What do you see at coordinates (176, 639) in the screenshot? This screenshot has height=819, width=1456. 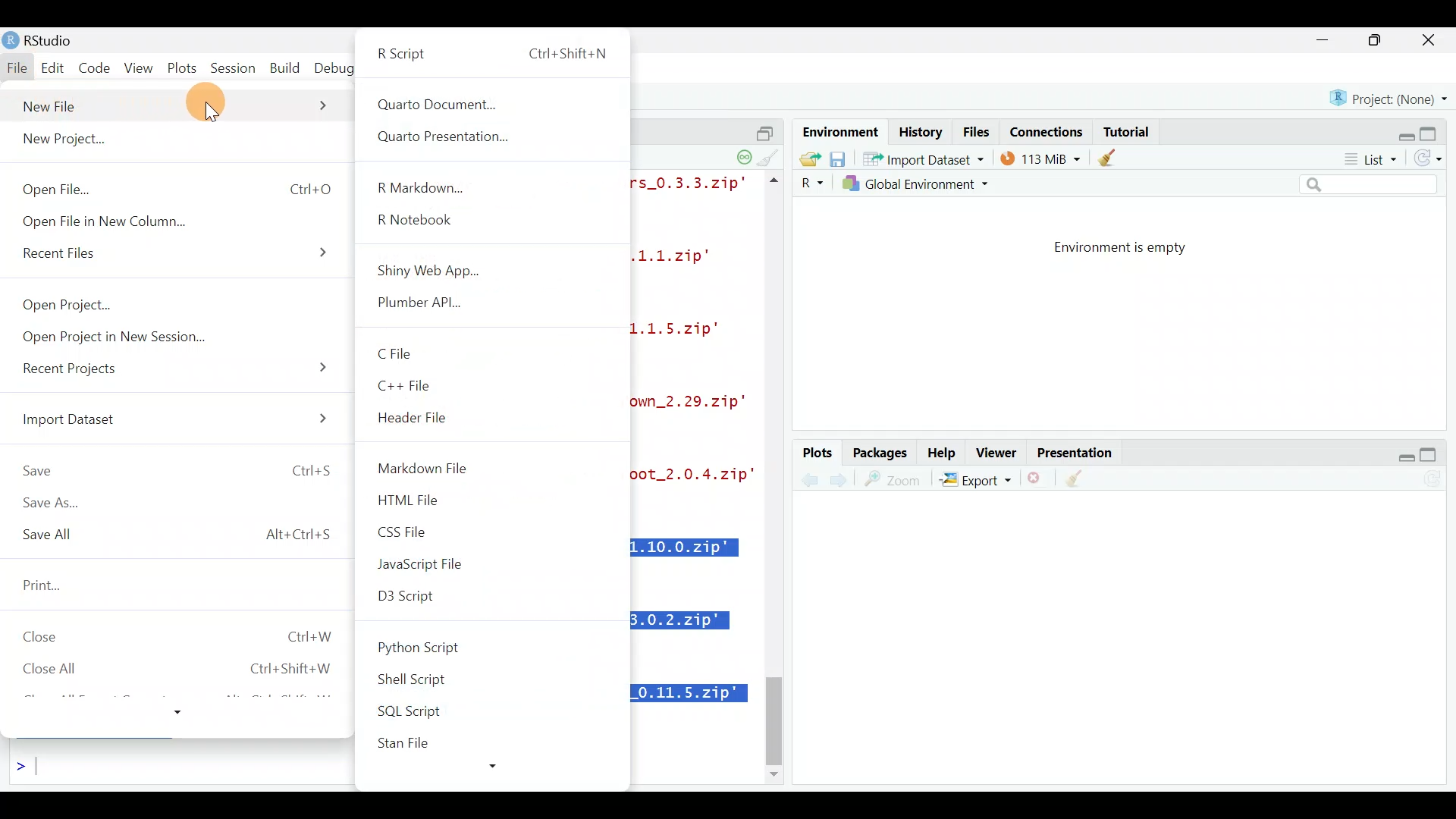 I see `Close Ctrl+w` at bounding box center [176, 639].